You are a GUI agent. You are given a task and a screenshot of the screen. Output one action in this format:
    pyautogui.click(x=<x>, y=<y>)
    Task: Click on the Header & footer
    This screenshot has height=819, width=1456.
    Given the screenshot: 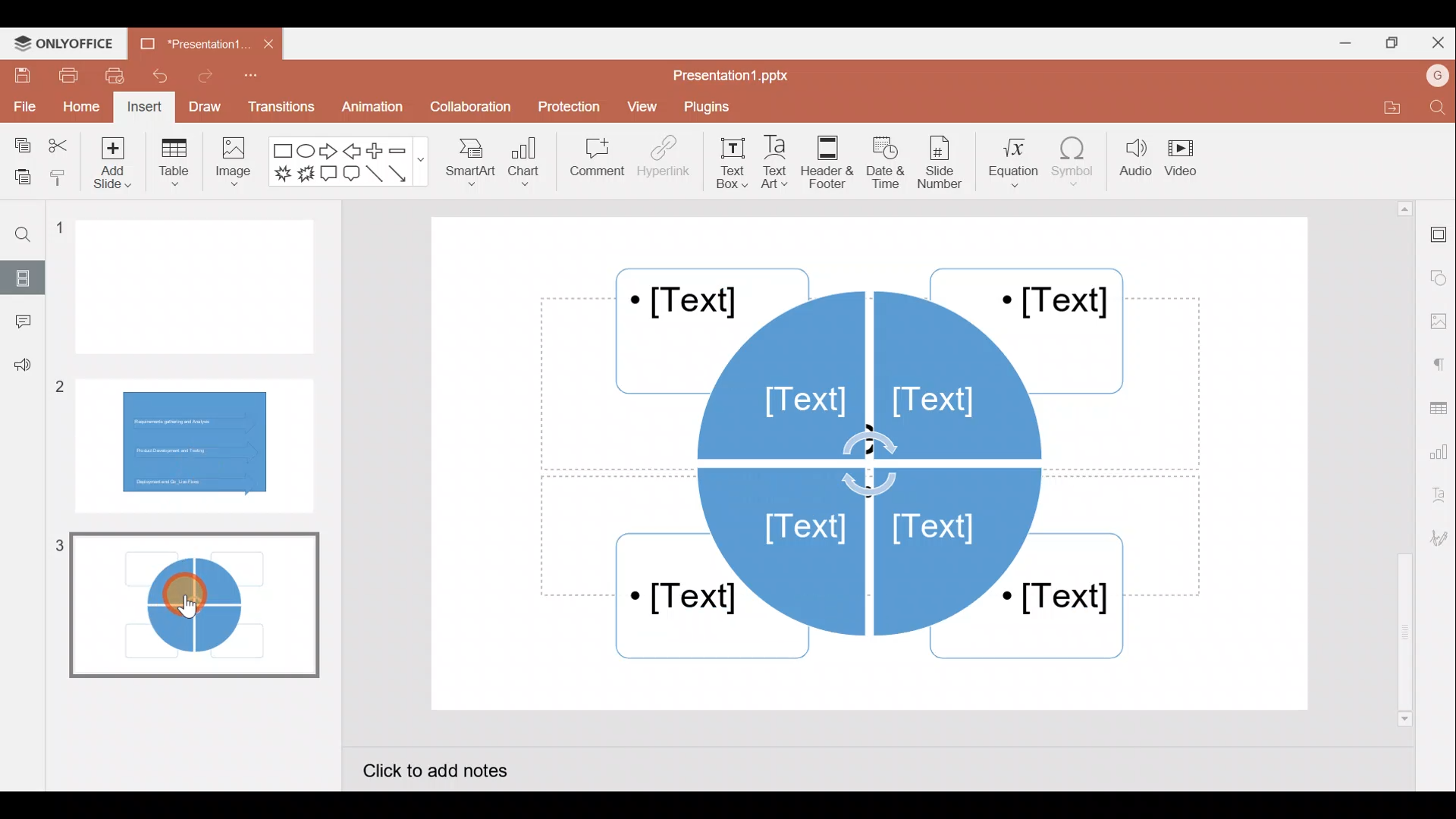 What is the action you would take?
    pyautogui.click(x=831, y=162)
    